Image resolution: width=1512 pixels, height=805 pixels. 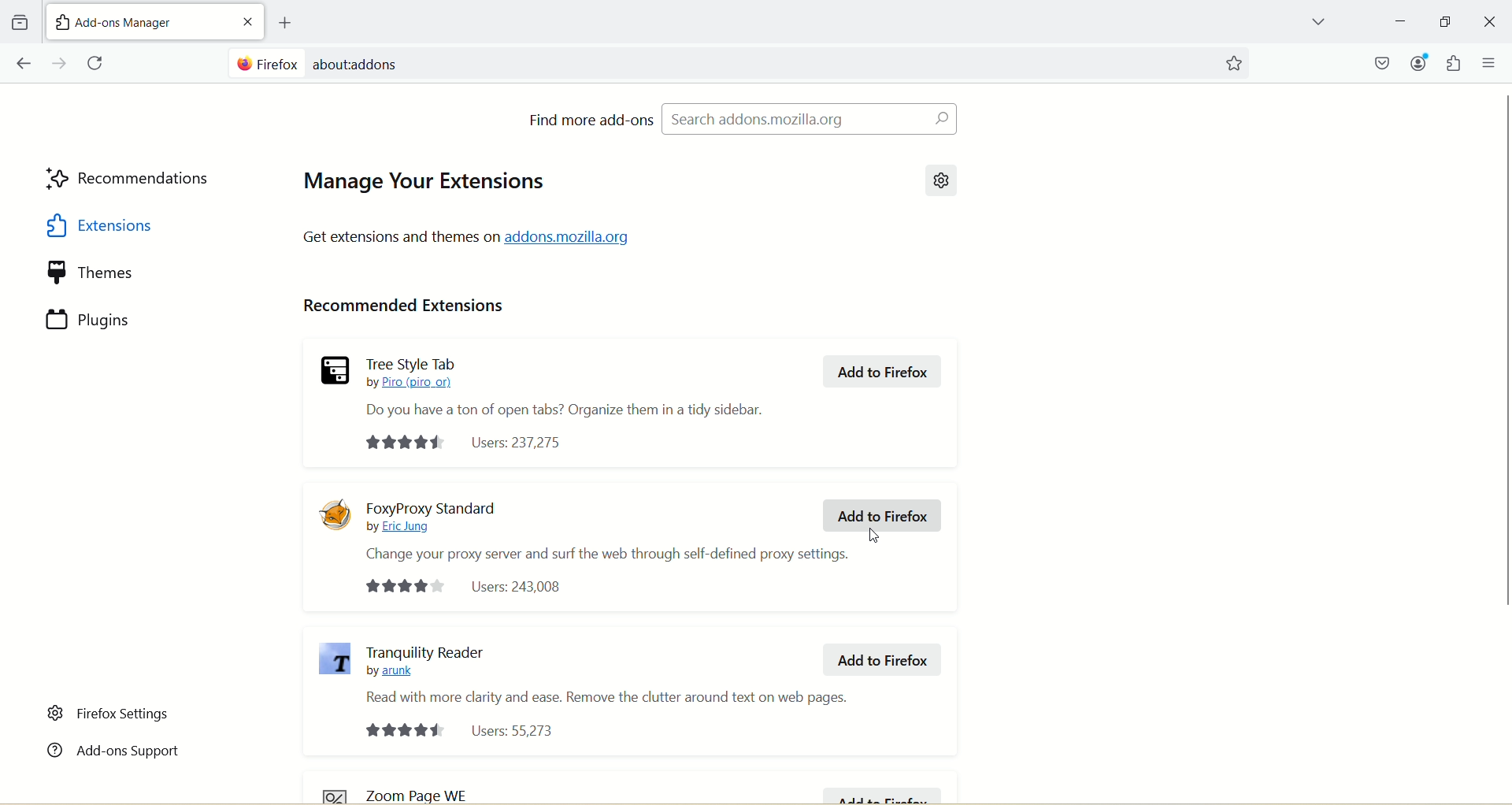 What do you see at coordinates (1445, 21) in the screenshot?
I see `Minimize` at bounding box center [1445, 21].